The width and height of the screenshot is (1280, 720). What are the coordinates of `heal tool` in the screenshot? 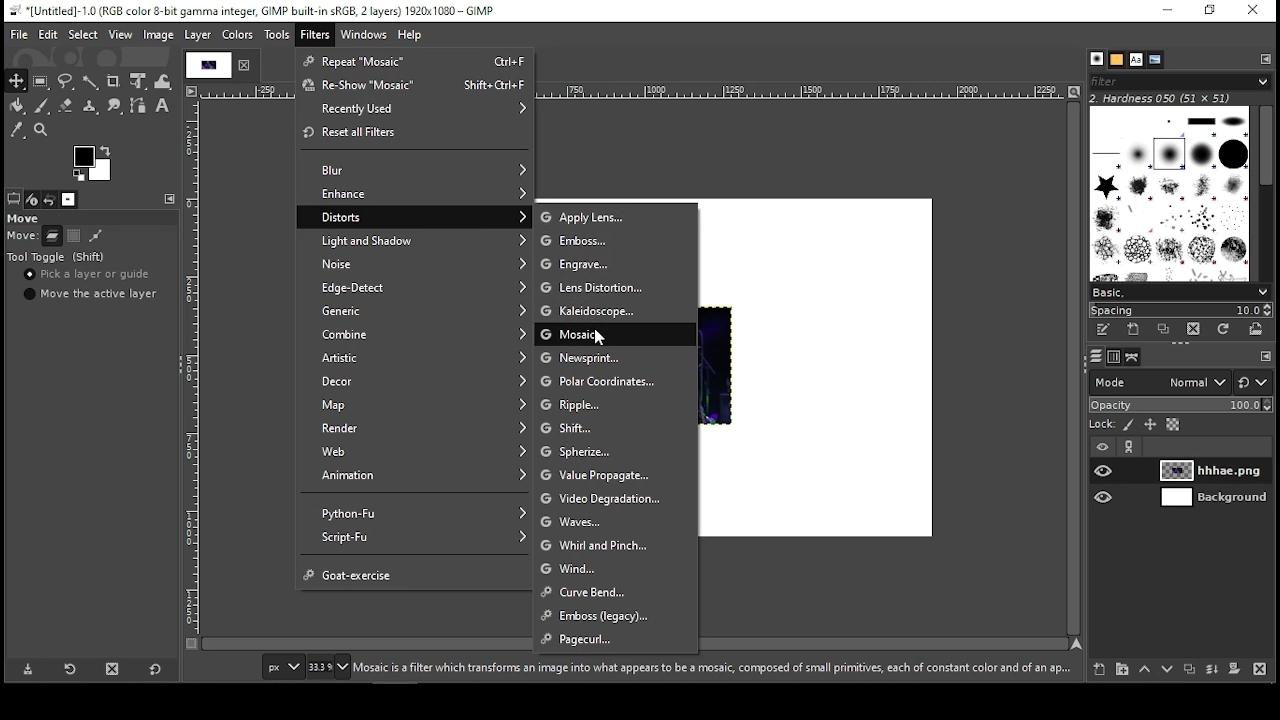 It's located at (92, 107).